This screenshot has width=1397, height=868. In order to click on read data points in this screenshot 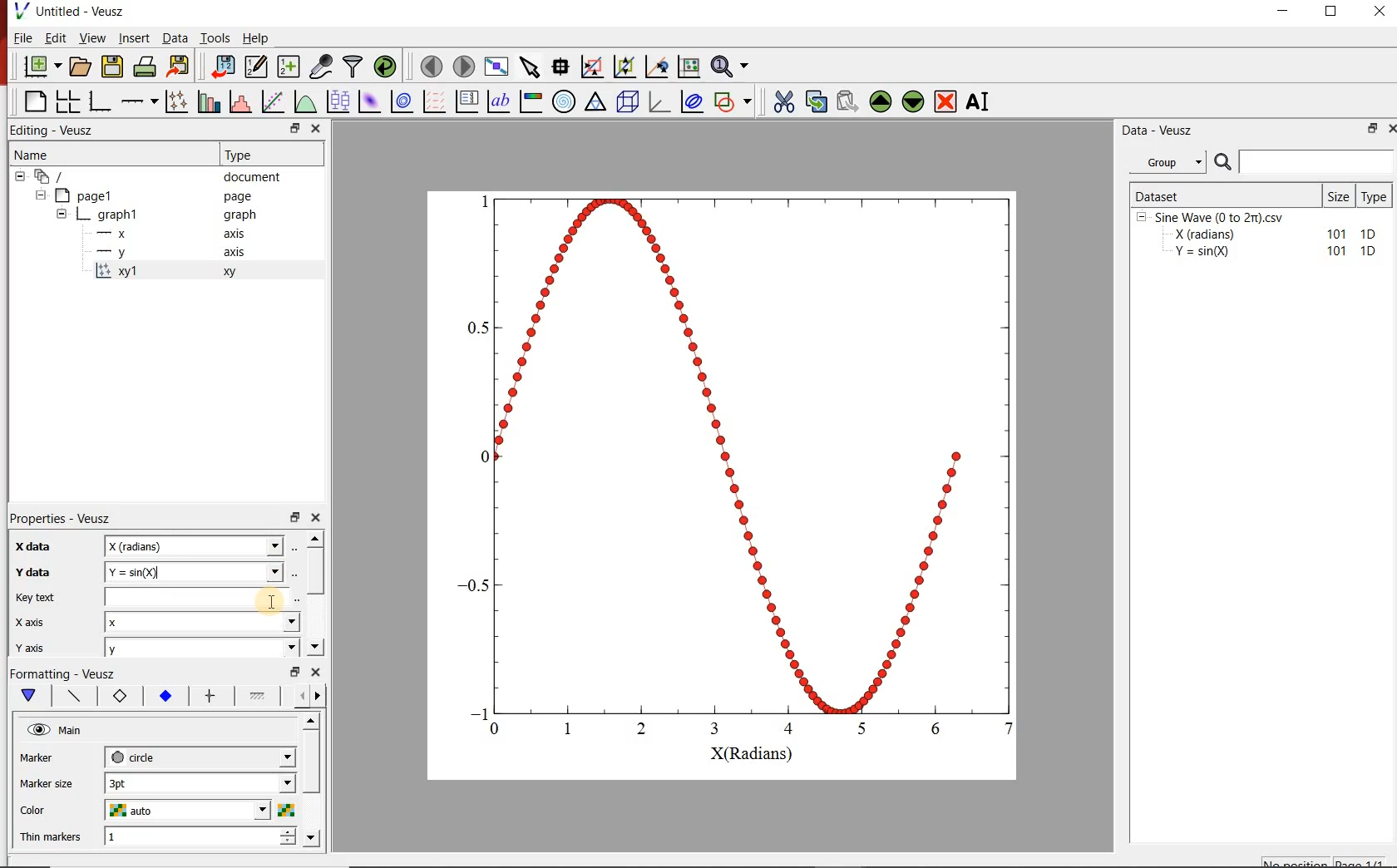, I will do `click(560, 65)`.